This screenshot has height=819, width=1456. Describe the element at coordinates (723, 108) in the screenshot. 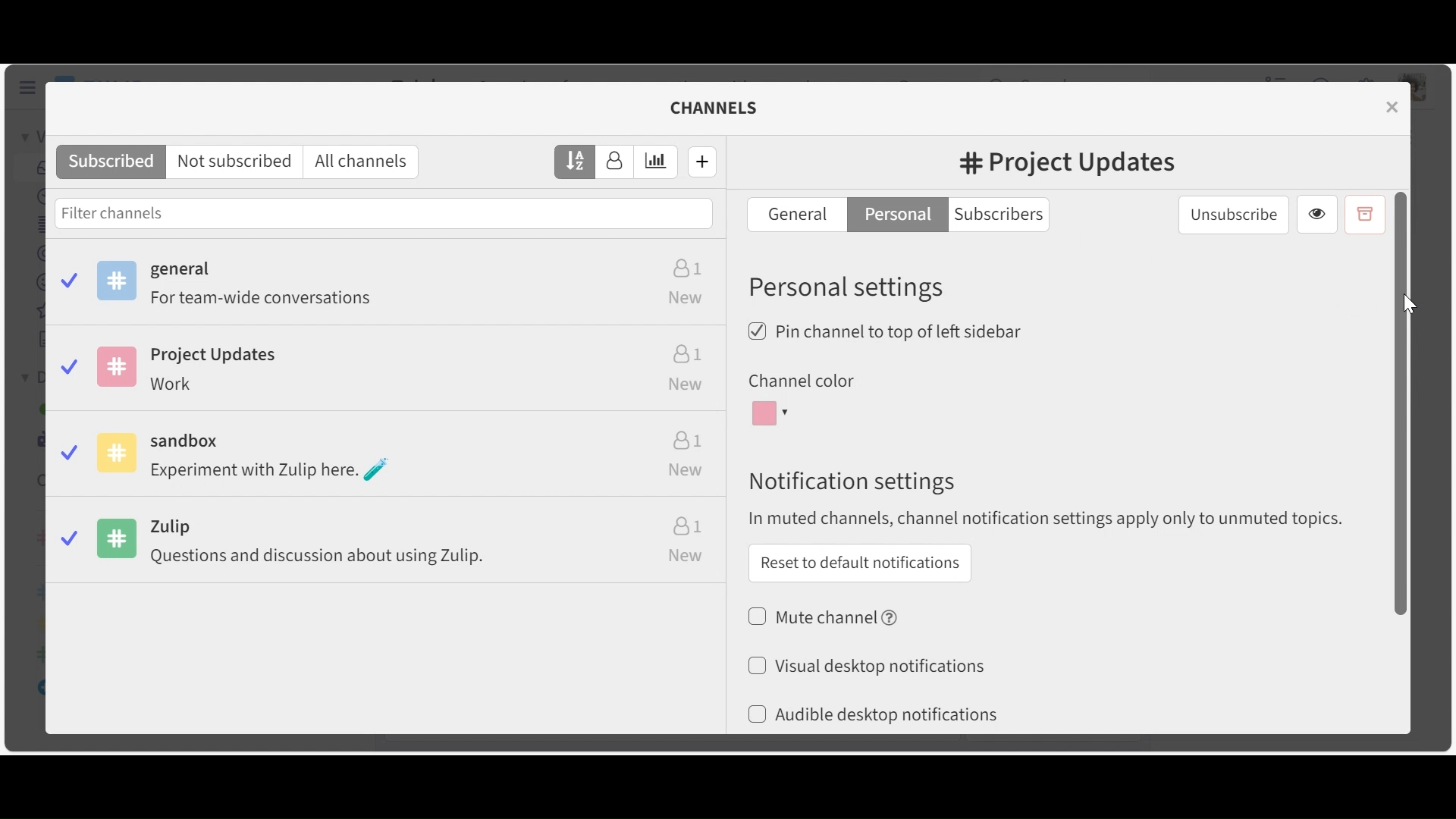

I see `channels` at that location.